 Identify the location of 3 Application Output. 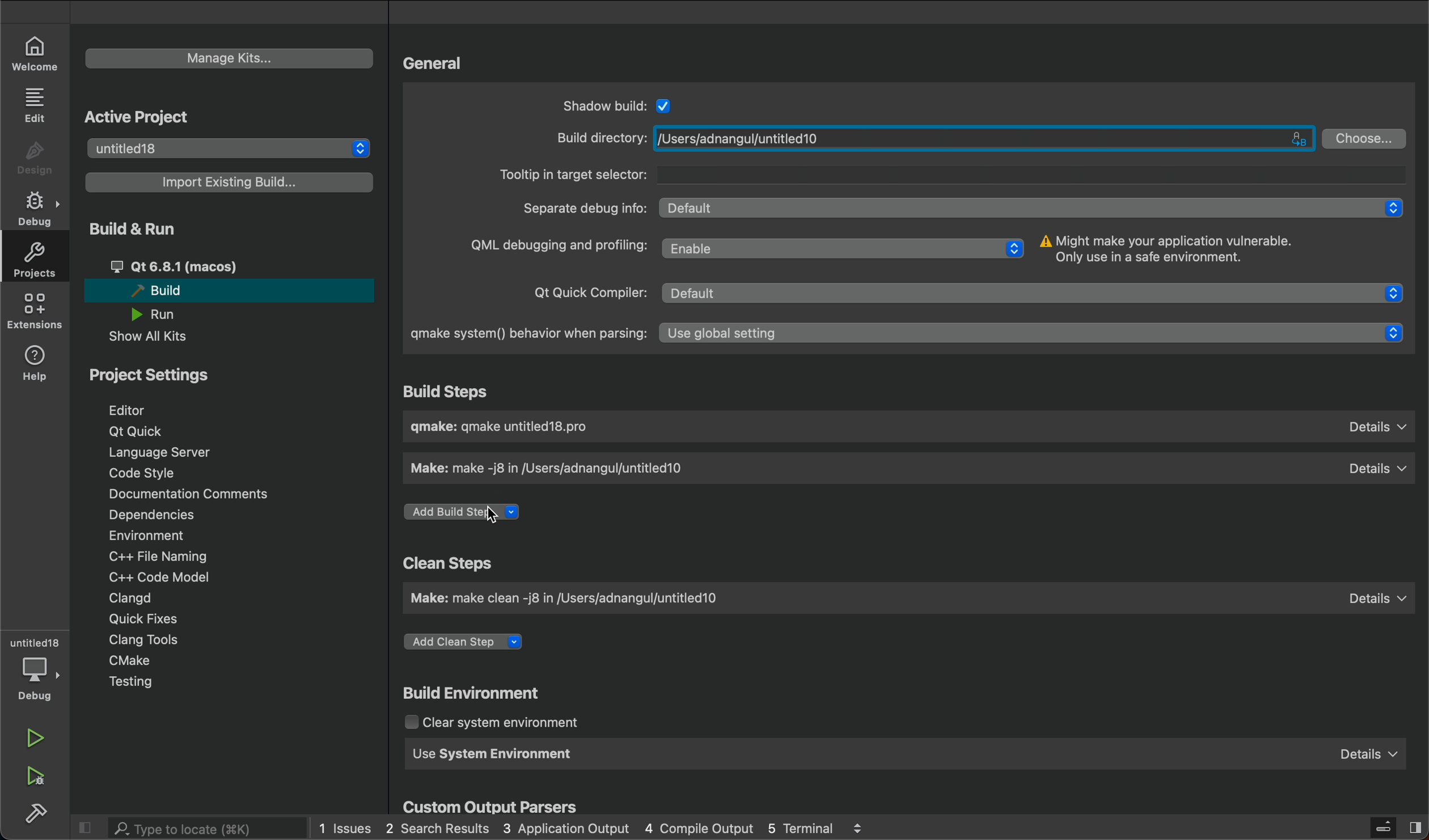
(566, 828).